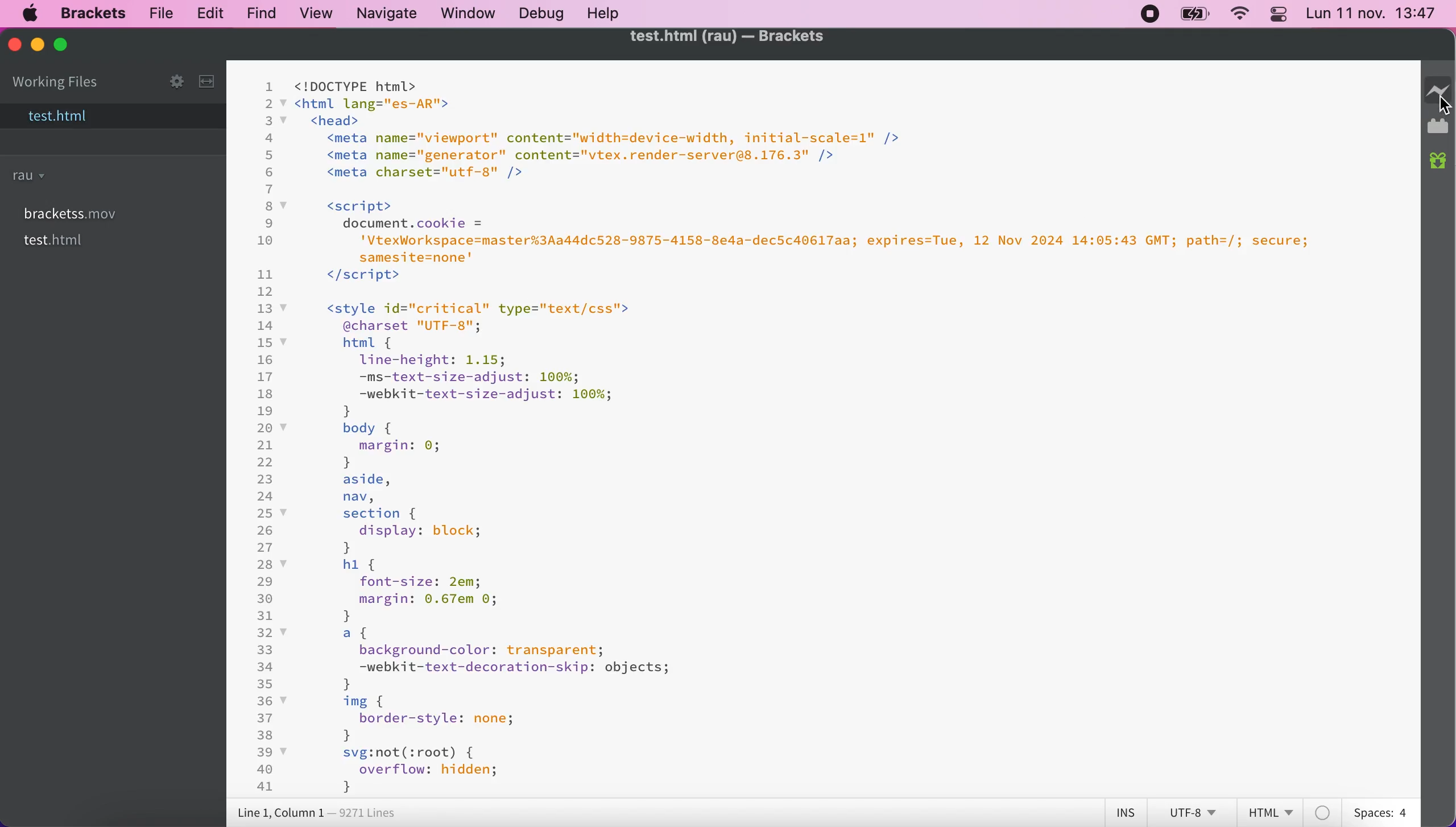  Describe the element at coordinates (1440, 166) in the screenshot. I see `new builds of brackets` at that location.